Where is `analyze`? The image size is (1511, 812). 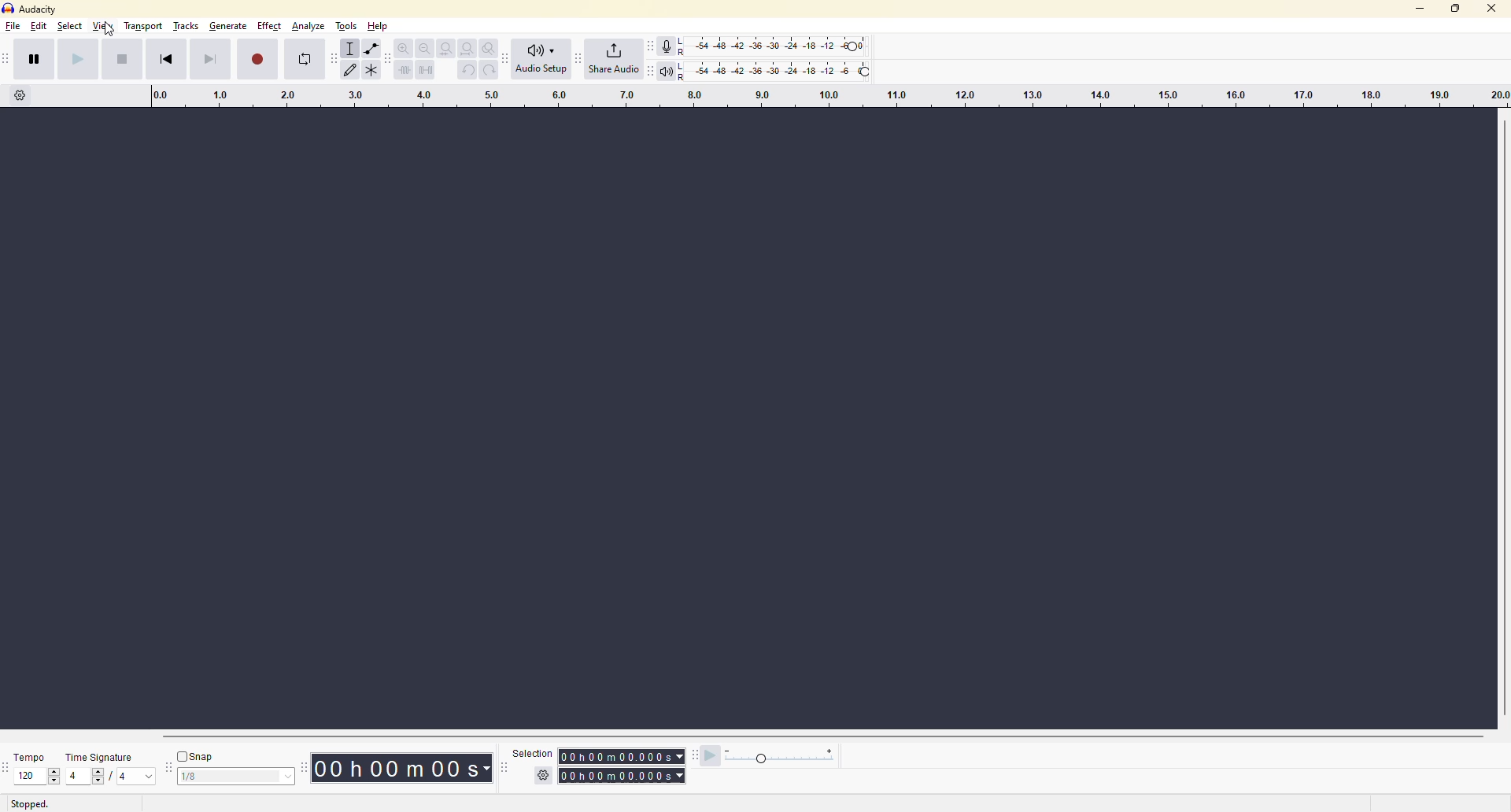
analyze is located at coordinates (305, 30).